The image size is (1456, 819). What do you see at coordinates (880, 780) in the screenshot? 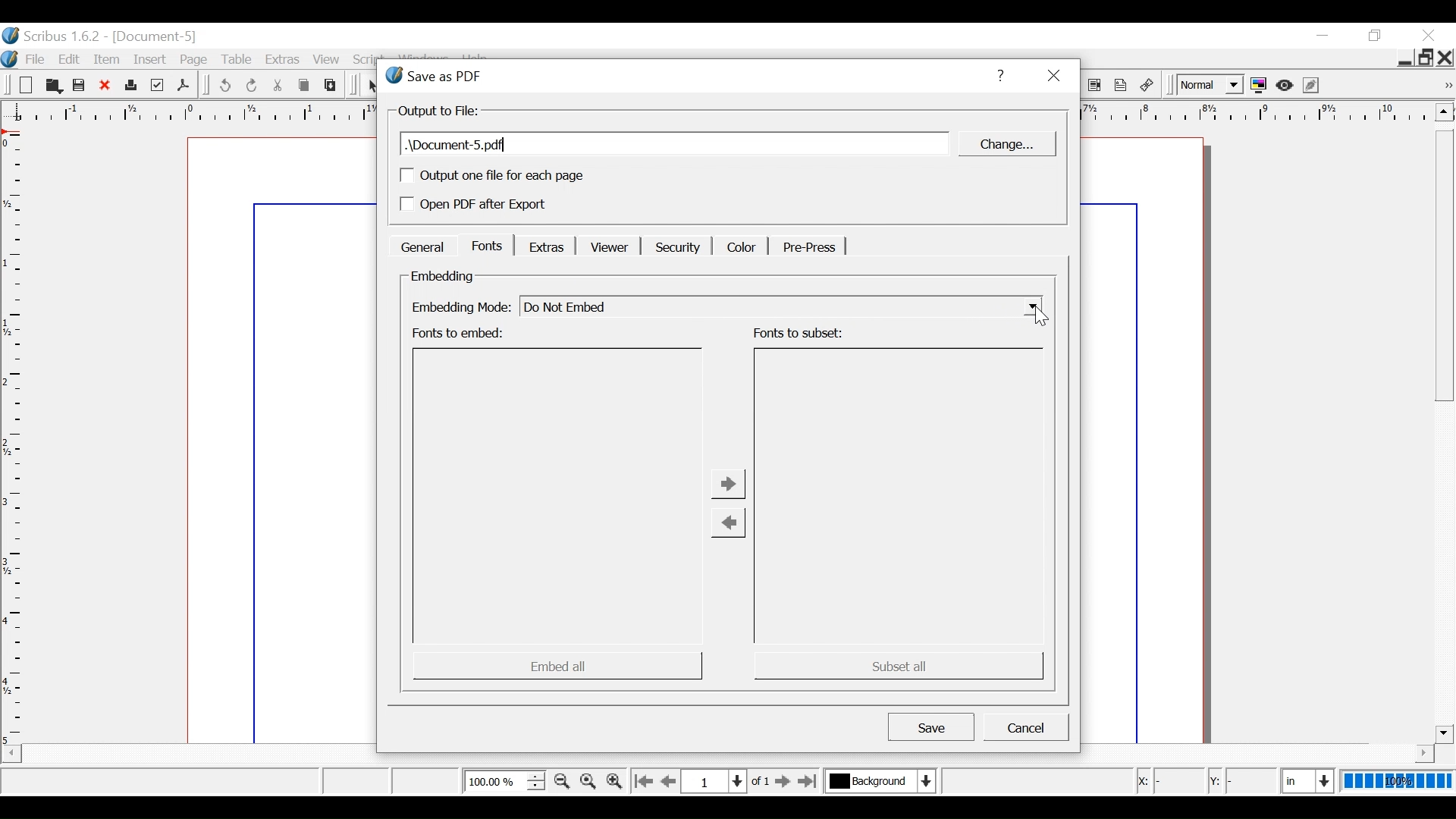
I see `Current layer` at bounding box center [880, 780].